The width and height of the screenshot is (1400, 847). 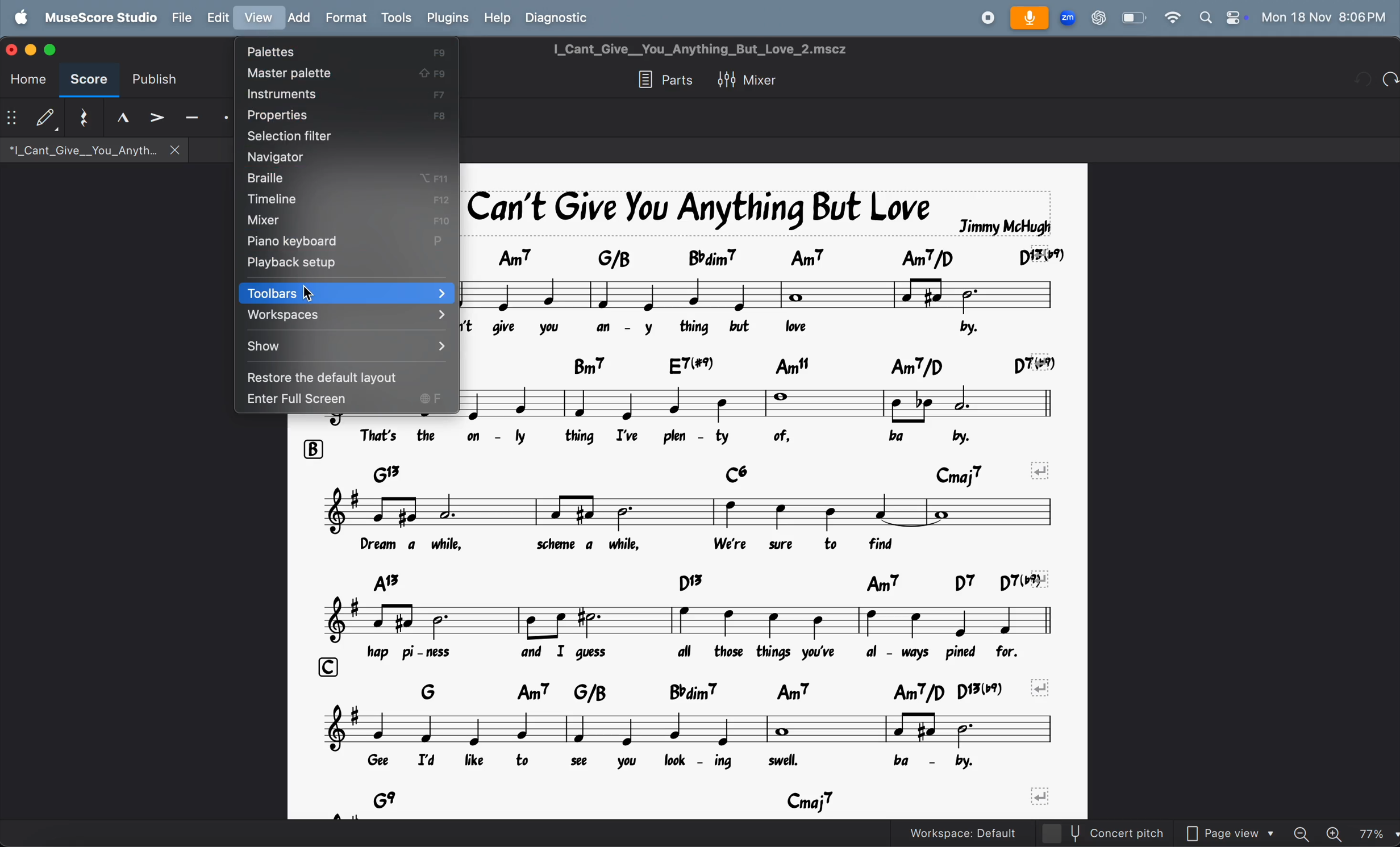 What do you see at coordinates (343, 199) in the screenshot?
I see `timline` at bounding box center [343, 199].